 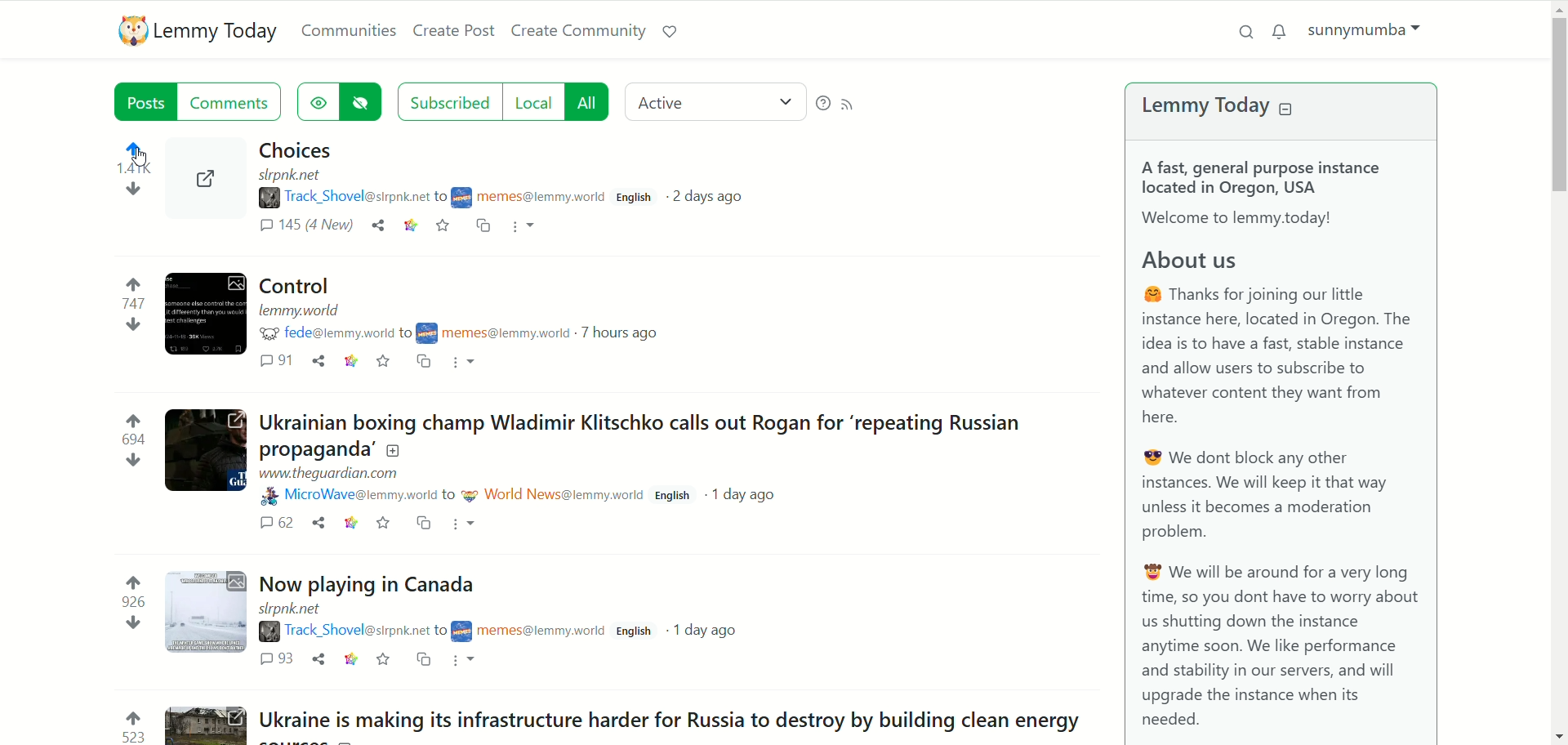 I want to click on username, so click(x=359, y=494).